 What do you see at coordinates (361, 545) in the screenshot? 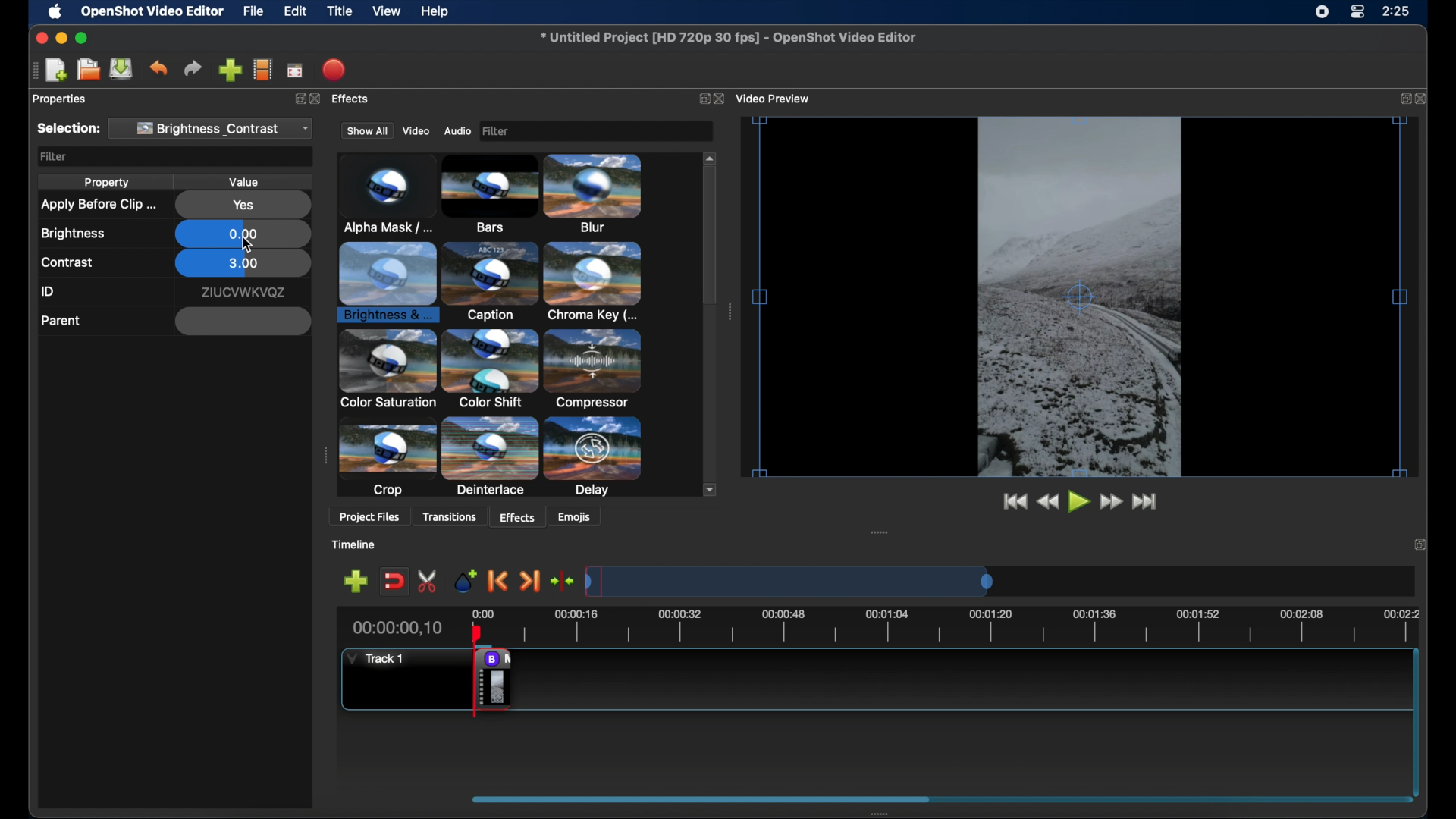
I see `timeline` at bounding box center [361, 545].